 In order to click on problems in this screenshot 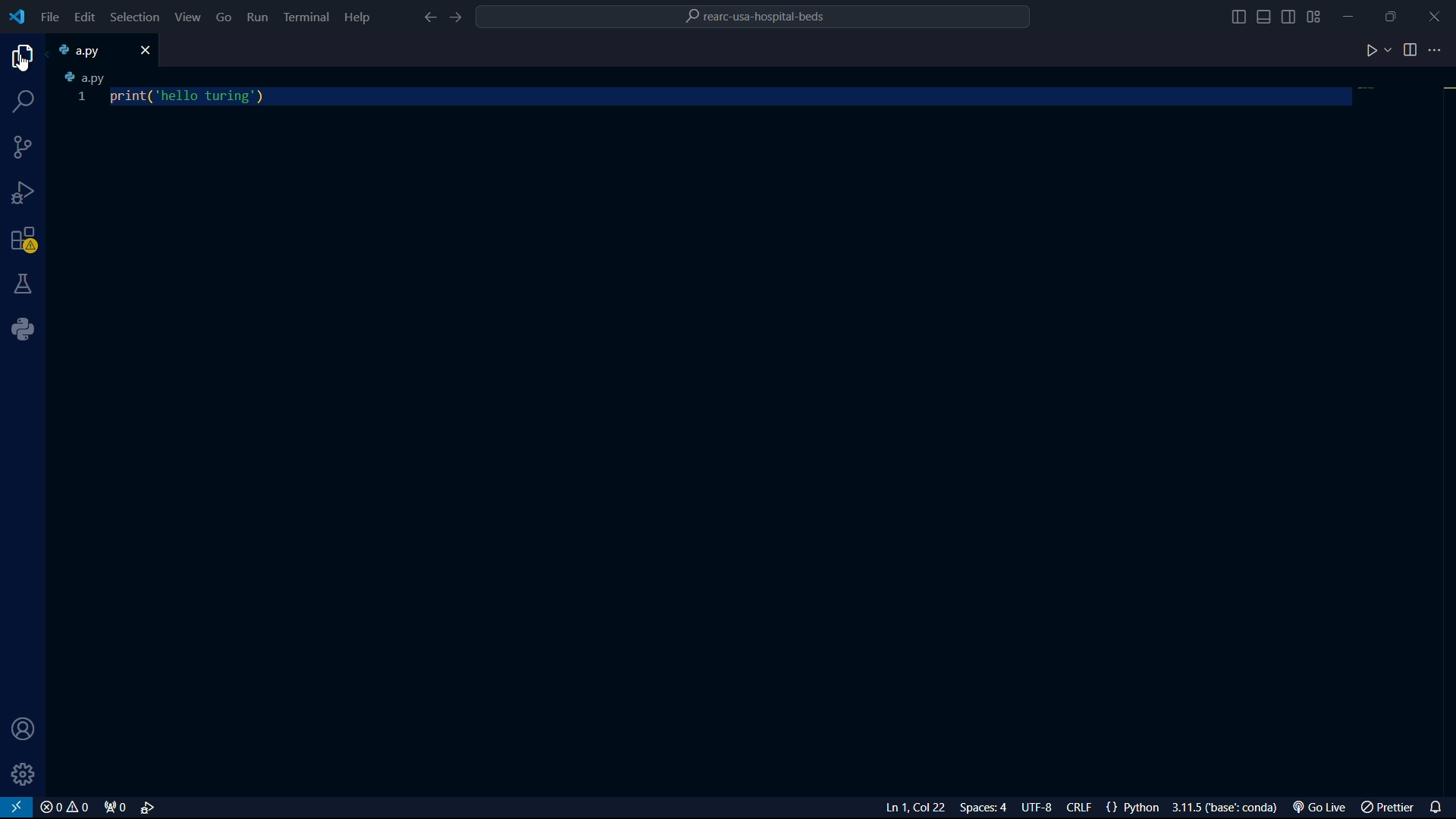, I will do `click(64, 808)`.